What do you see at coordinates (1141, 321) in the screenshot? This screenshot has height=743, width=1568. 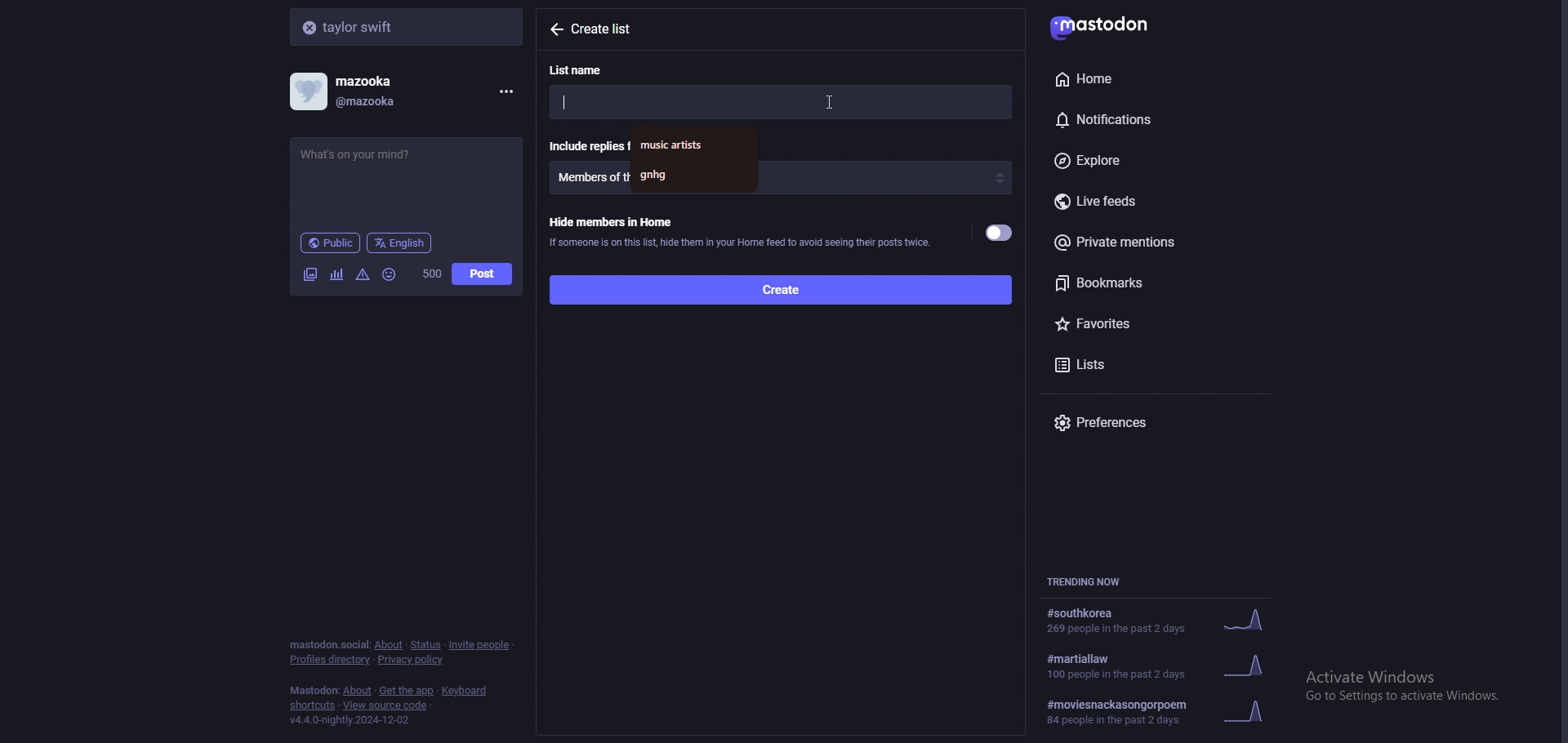 I see `favourites` at bounding box center [1141, 321].